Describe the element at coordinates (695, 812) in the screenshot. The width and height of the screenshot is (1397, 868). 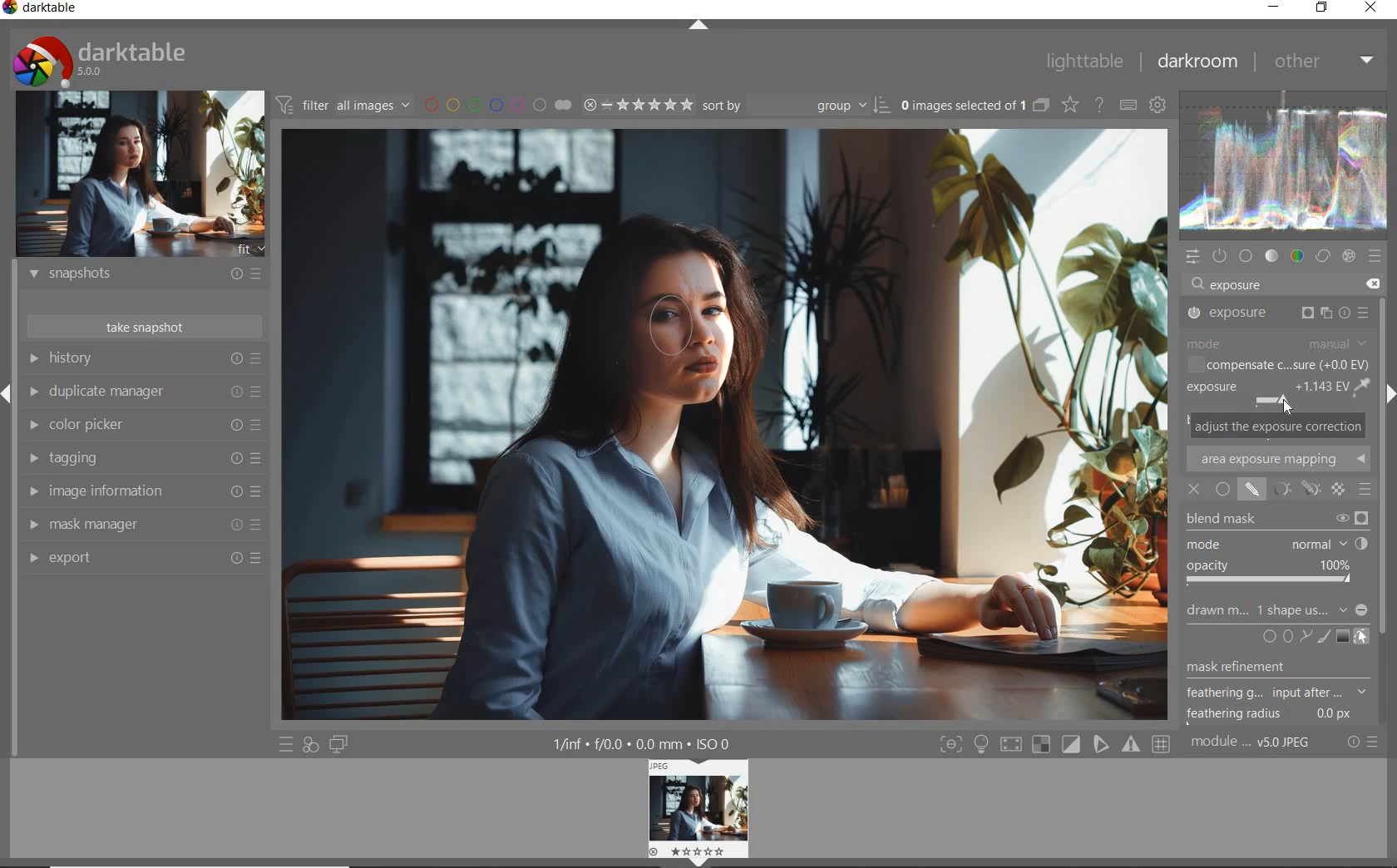
I see `image preview` at that location.